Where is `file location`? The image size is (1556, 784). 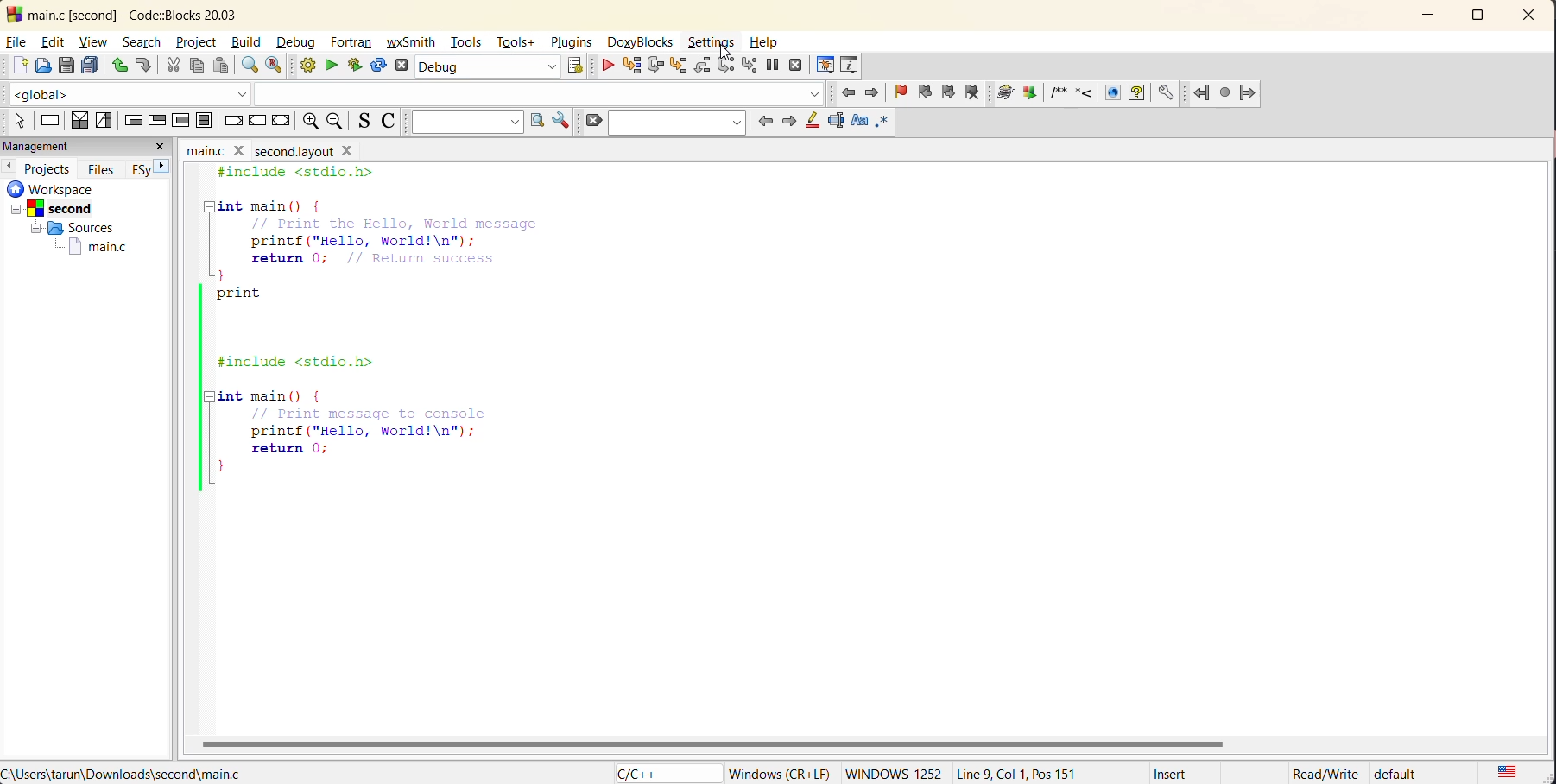 file location is located at coordinates (123, 774).